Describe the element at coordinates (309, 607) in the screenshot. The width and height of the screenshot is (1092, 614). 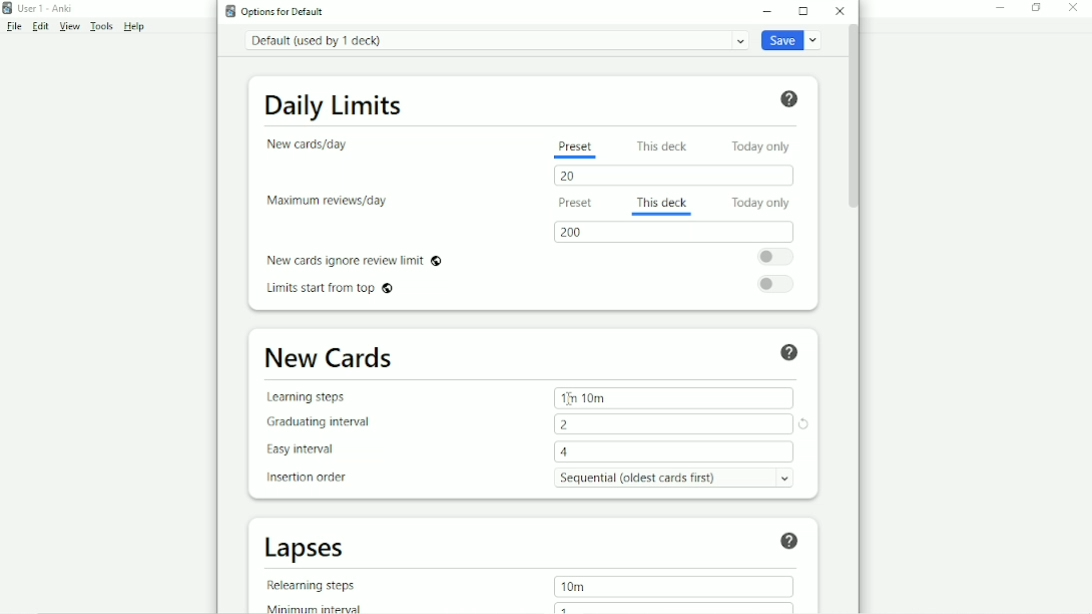
I see `Minimum interval` at that location.